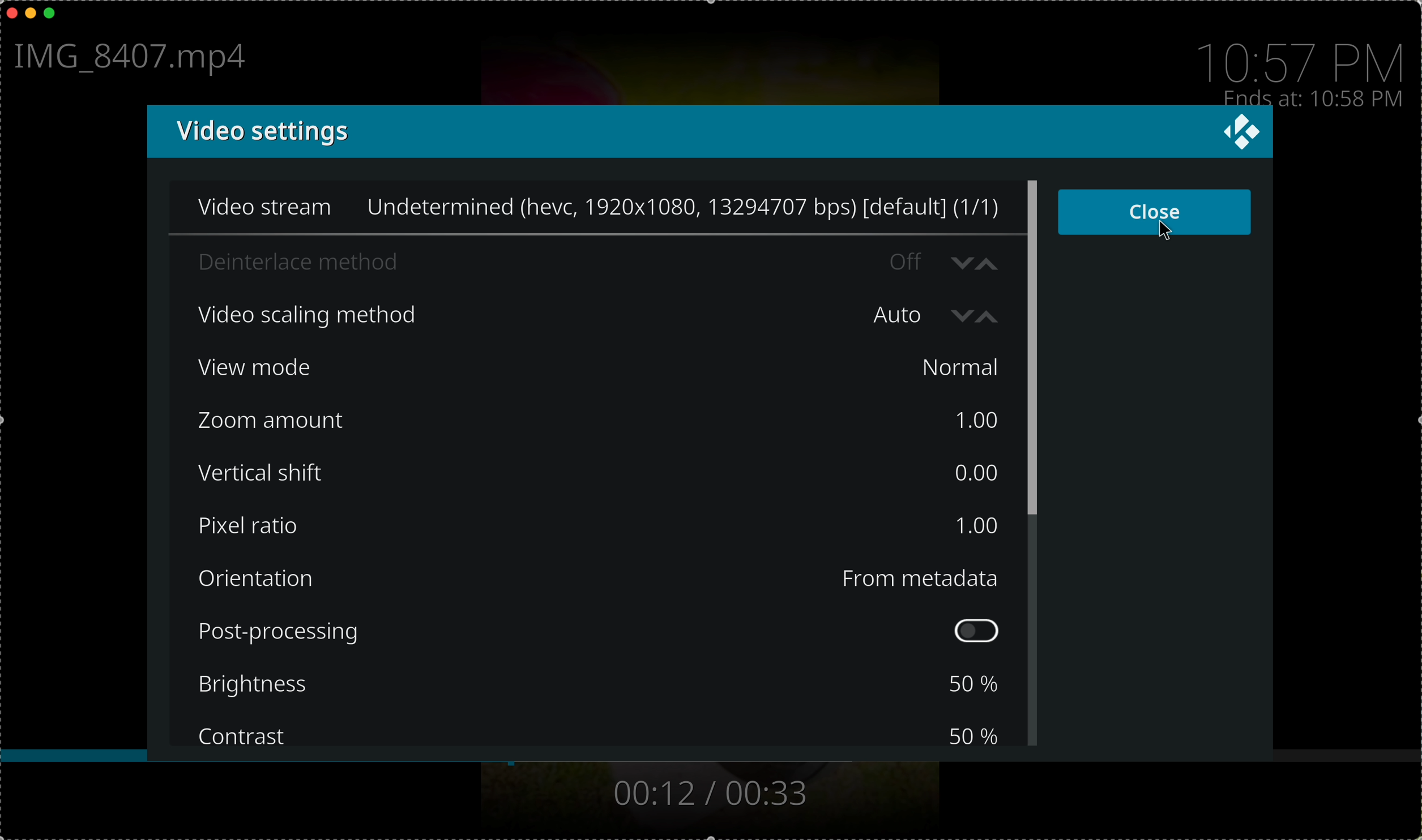 This screenshot has width=1422, height=840. What do you see at coordinates (1156, 213) in the screenshot?
I see `close` at bounding box center [1156, 213].